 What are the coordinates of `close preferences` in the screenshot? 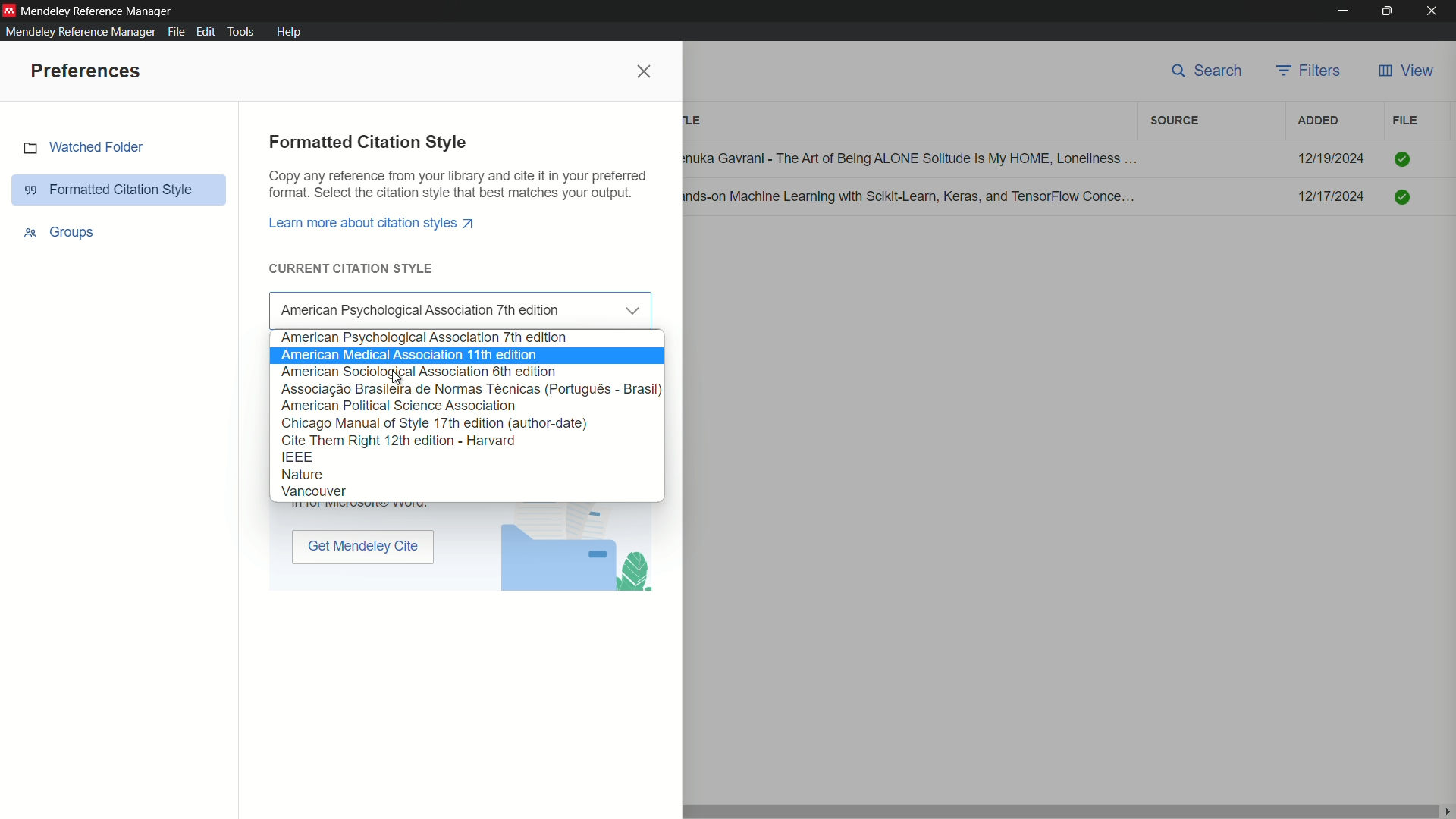 It's located at (645, 72).